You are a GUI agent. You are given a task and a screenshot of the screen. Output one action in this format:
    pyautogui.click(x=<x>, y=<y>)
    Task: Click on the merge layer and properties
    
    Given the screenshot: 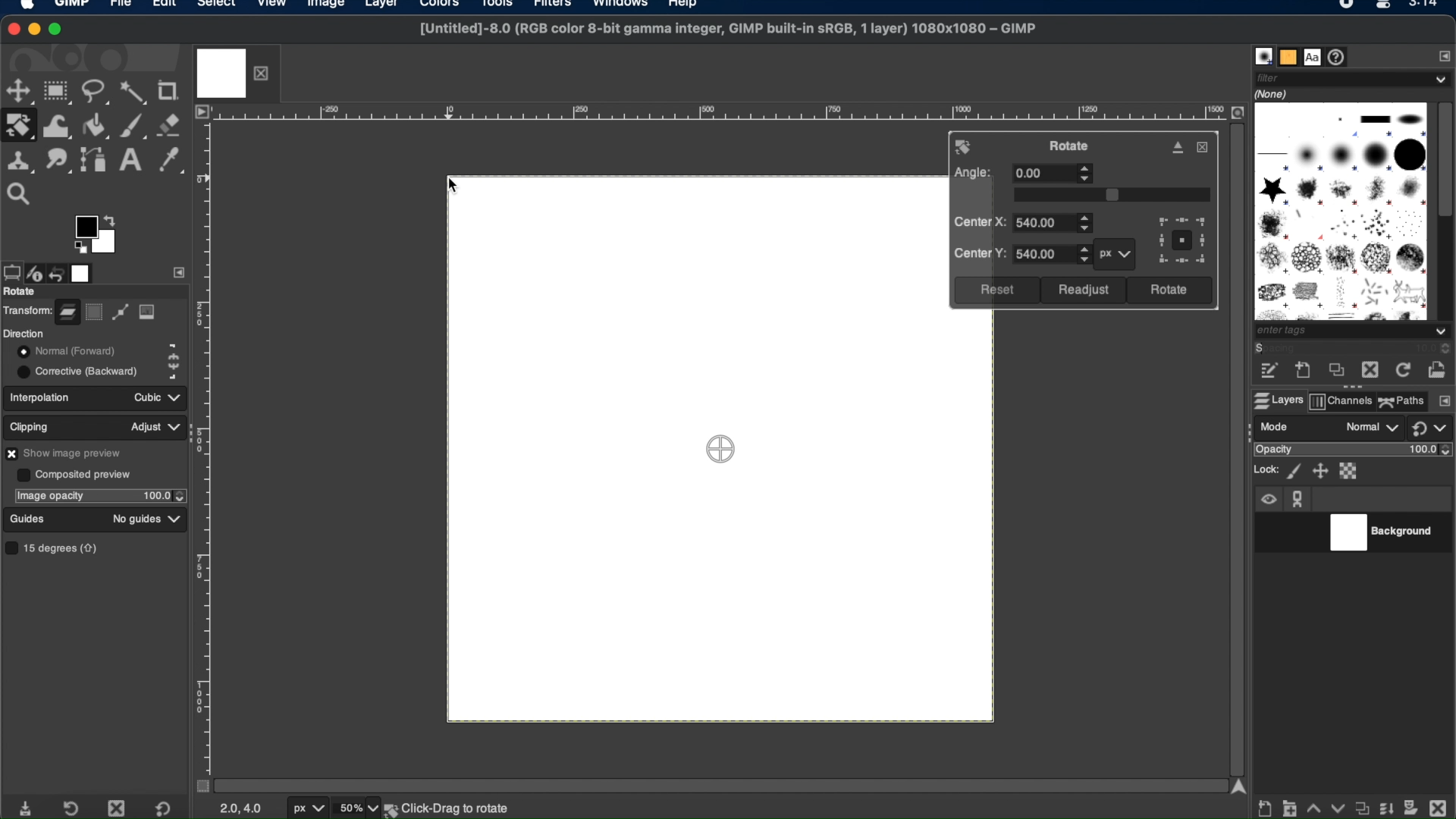 What is the action you would take?
    pyautogui.click(x=1384, y=805)
    